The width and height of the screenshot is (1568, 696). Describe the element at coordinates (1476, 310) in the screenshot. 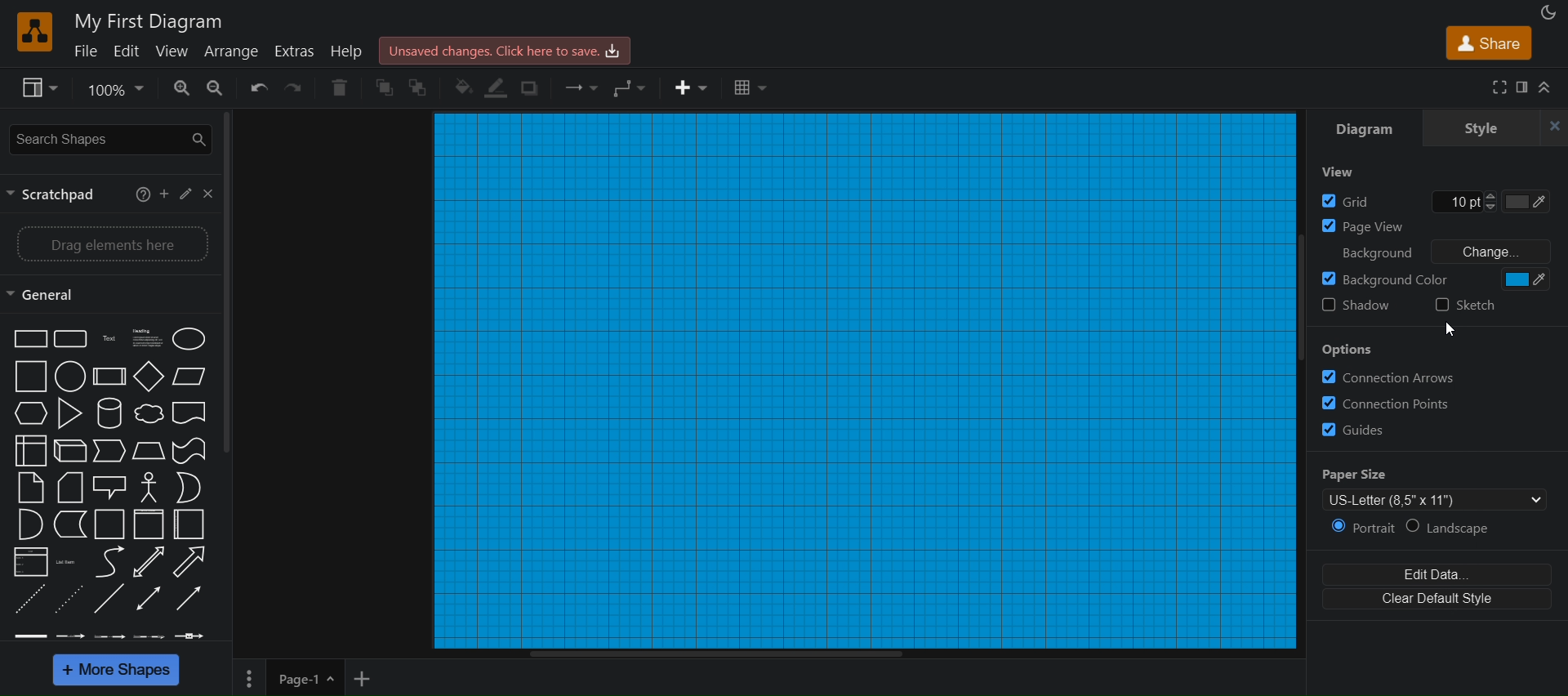

I see `sketch` at that location.